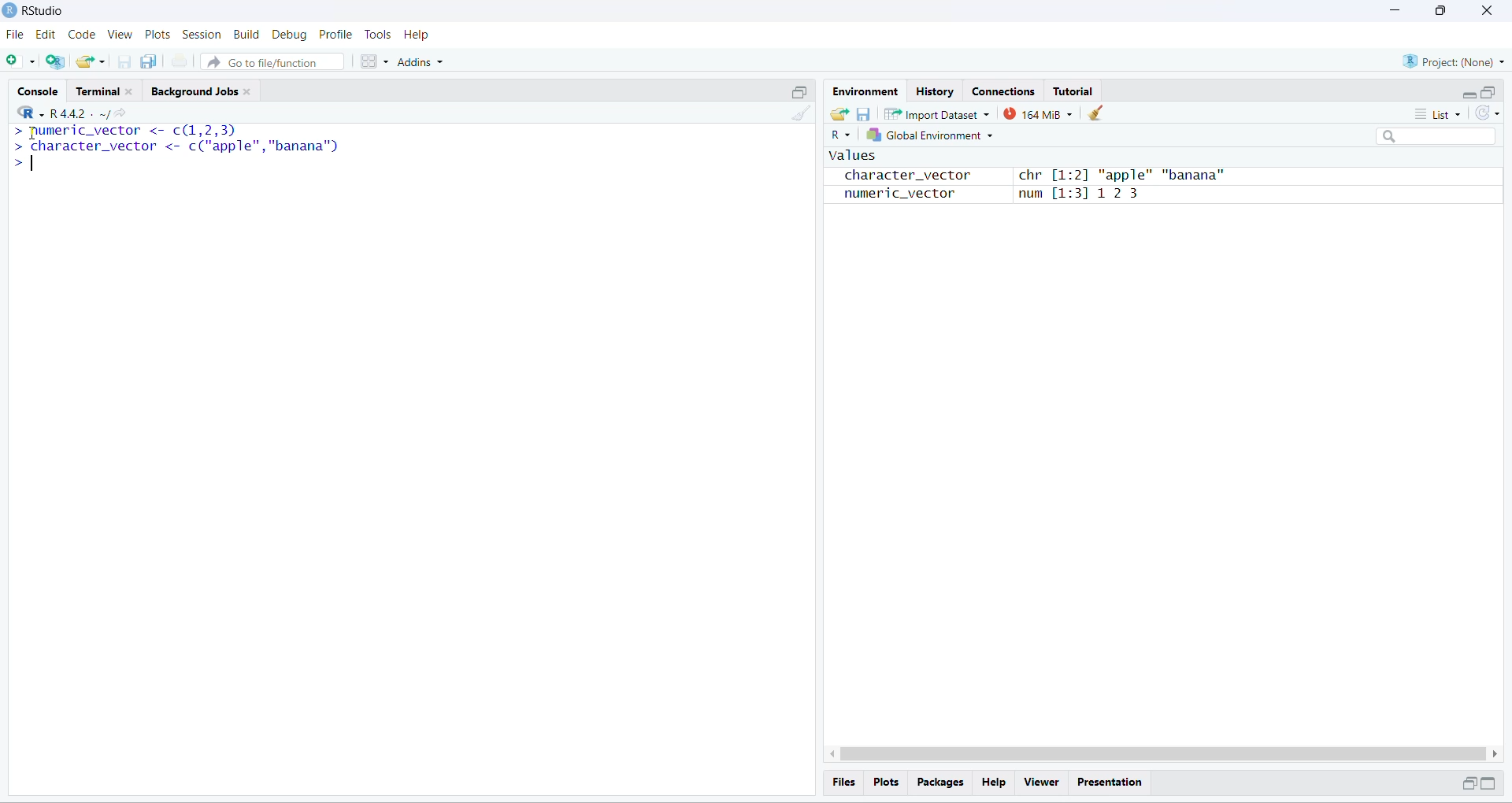  What do you see at coordinates (804, 114) in the screenshot?
I see `clear console` at bounding box center [804, 114].